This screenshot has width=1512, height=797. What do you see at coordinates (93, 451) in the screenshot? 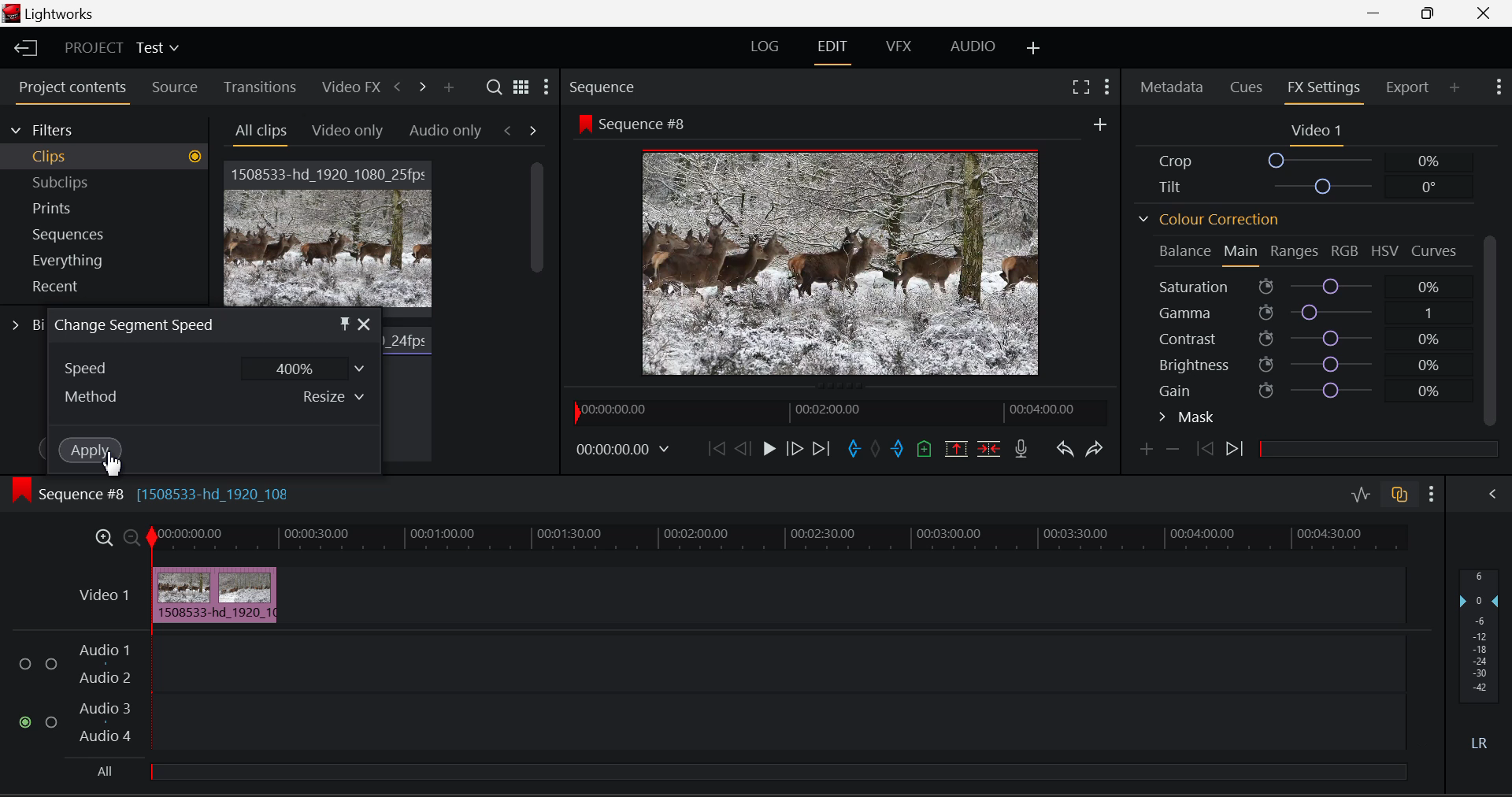
I see `Apply` at bounding box center [93, 451].